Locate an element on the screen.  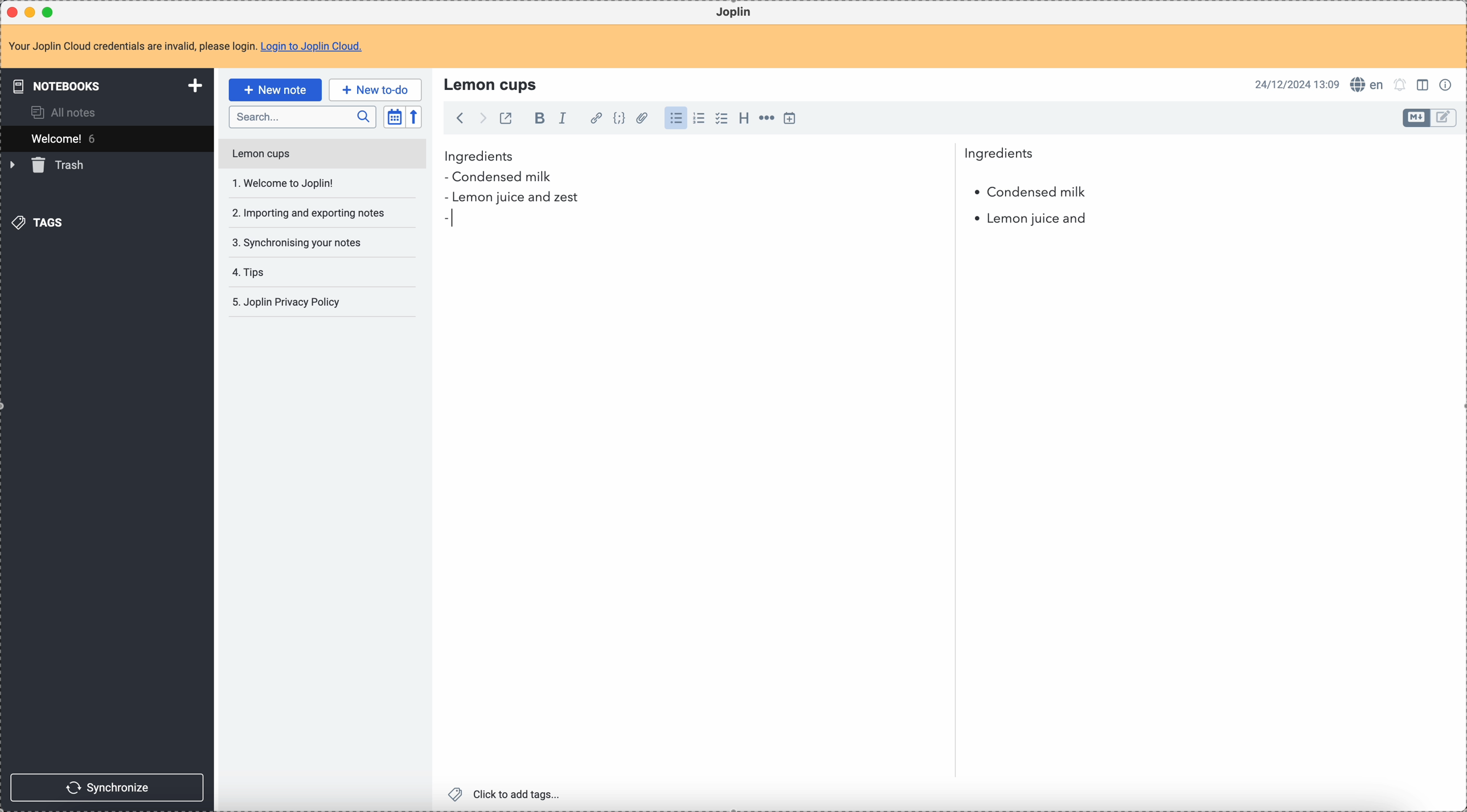
toggle external editing is located at coordinates (505, 120).